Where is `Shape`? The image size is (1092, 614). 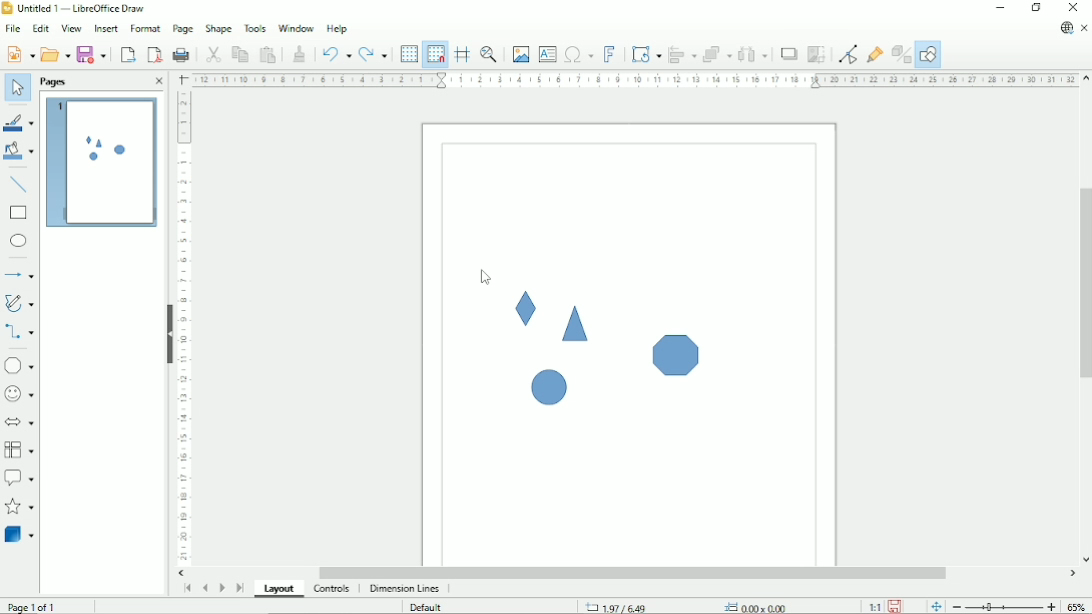
Shape is located at coordinates (547, 386).